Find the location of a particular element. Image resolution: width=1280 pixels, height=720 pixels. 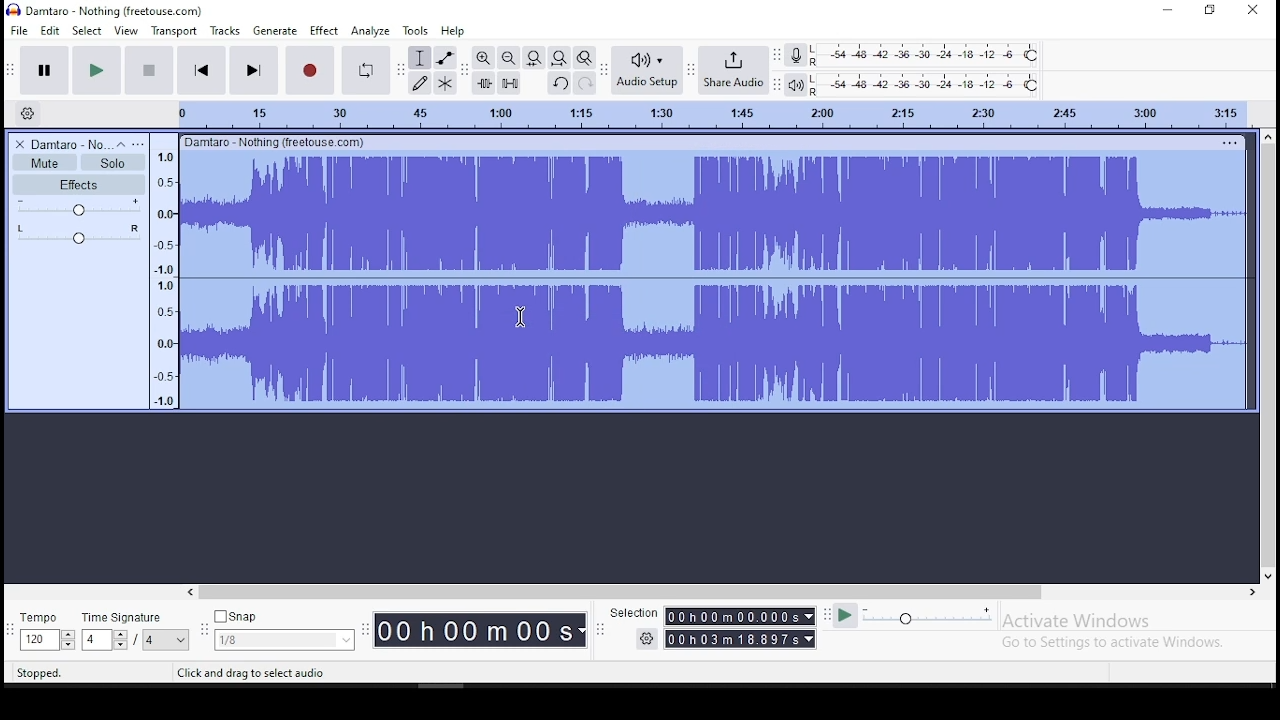

tools is located at coordinates (413, 30).